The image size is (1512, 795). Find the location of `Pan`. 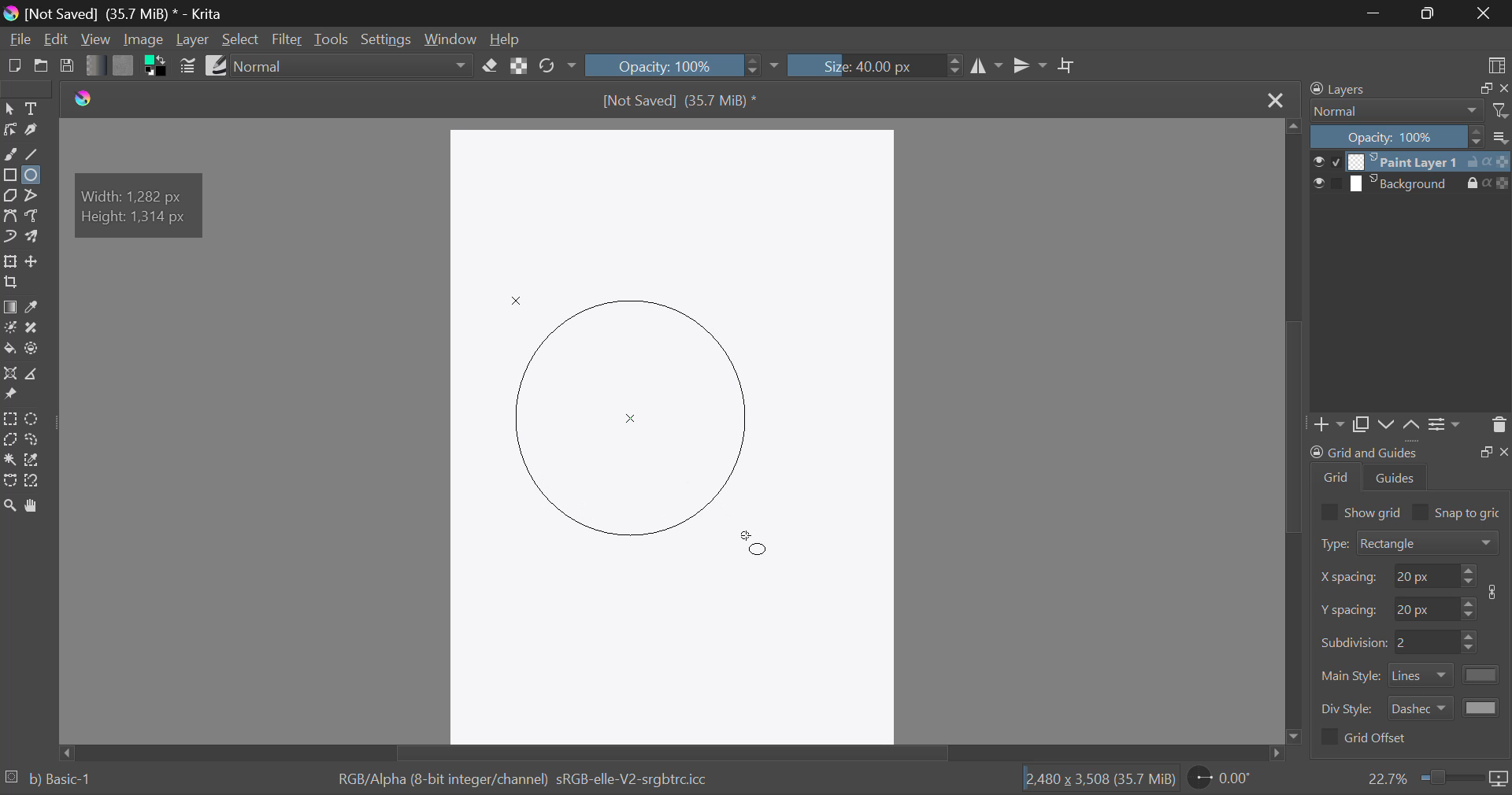

Pan is located at coordinates (33, 506).